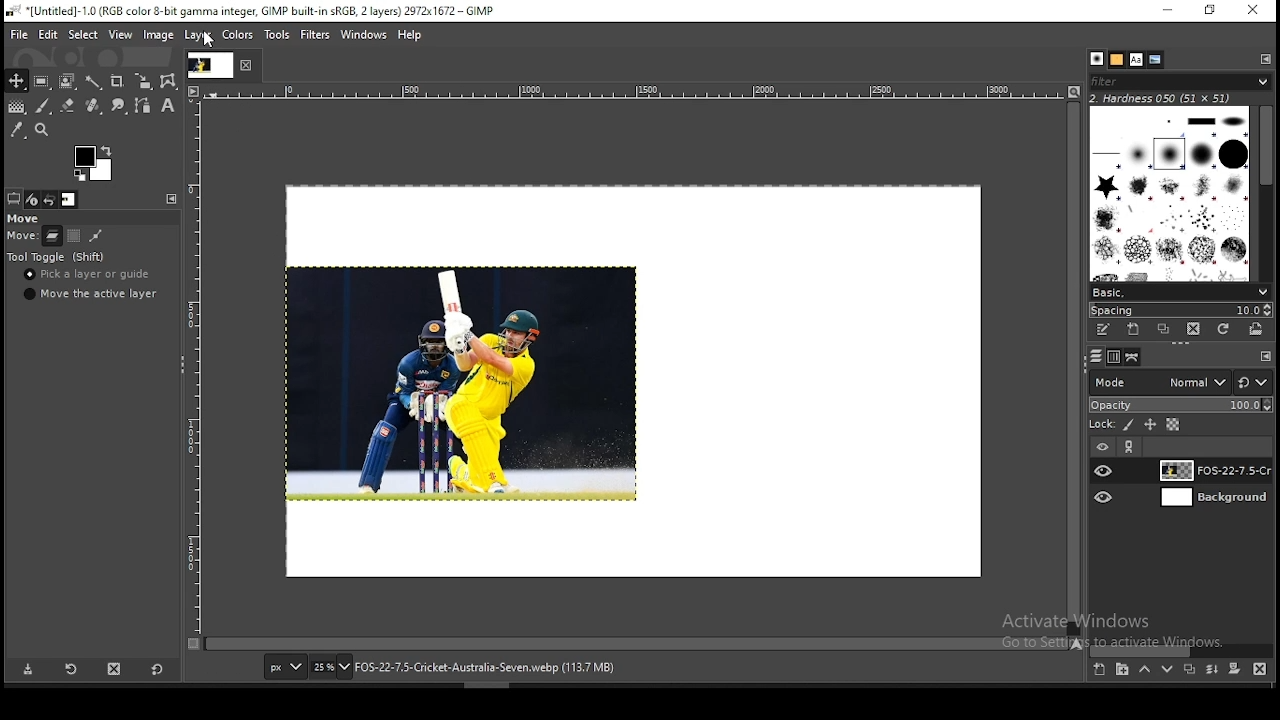 This screenshot has width=1280, height=720. Describe the element at coordinates (248, 12) in the screenshot. I see `icon and file name` at that location.